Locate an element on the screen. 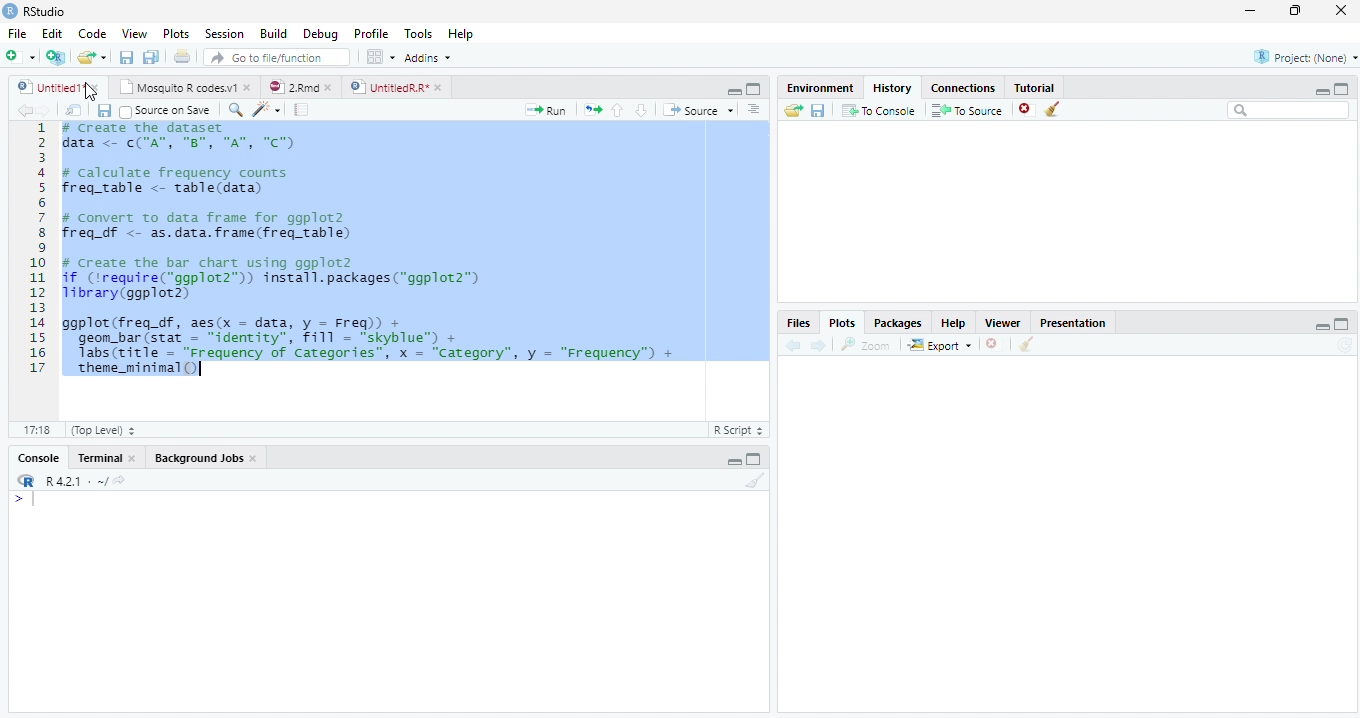 Image resolution: width=1360 pixels, height=718 pixels. R Script is located at coordinates (740, 431).